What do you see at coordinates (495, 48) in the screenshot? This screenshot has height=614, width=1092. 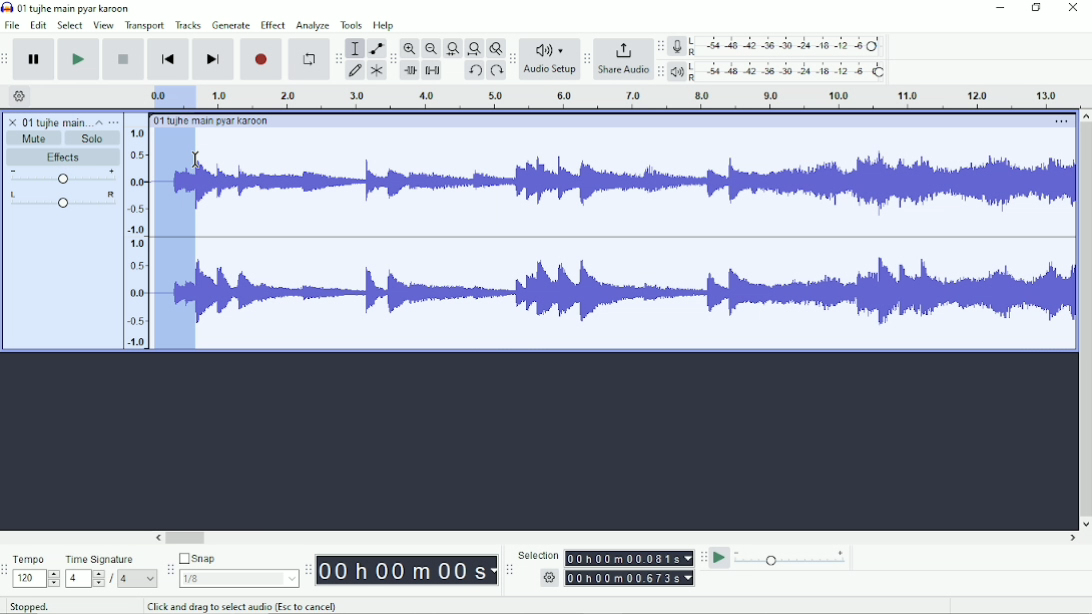 I see `Zoom toggle` at bounding box center [495, 48].